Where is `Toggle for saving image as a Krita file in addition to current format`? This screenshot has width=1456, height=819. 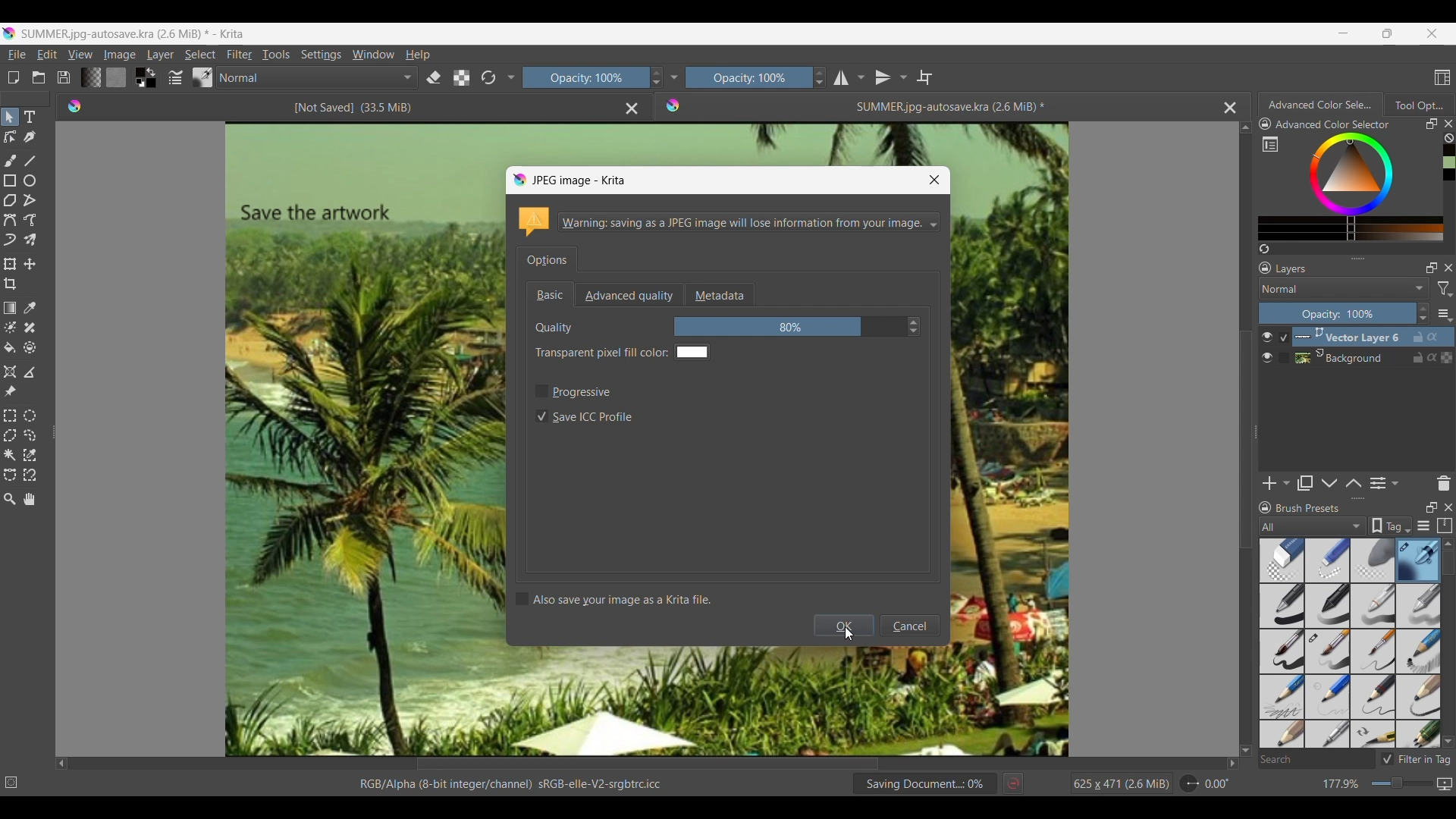
Toggle for saving image as a Krita file in addition to current format is located at coordinates (613, 599).